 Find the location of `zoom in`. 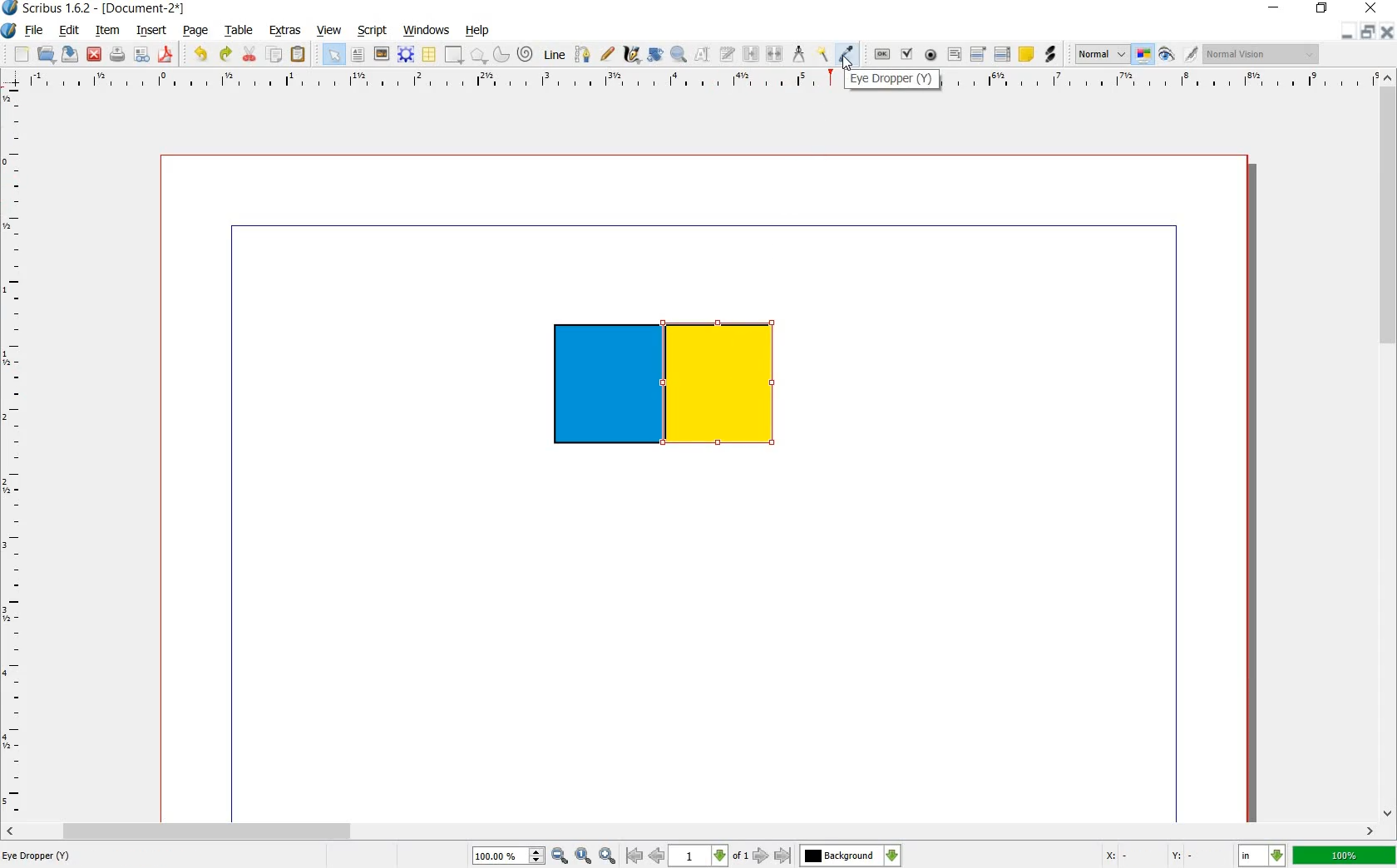

zoom in is located at coordinates (606, 855).